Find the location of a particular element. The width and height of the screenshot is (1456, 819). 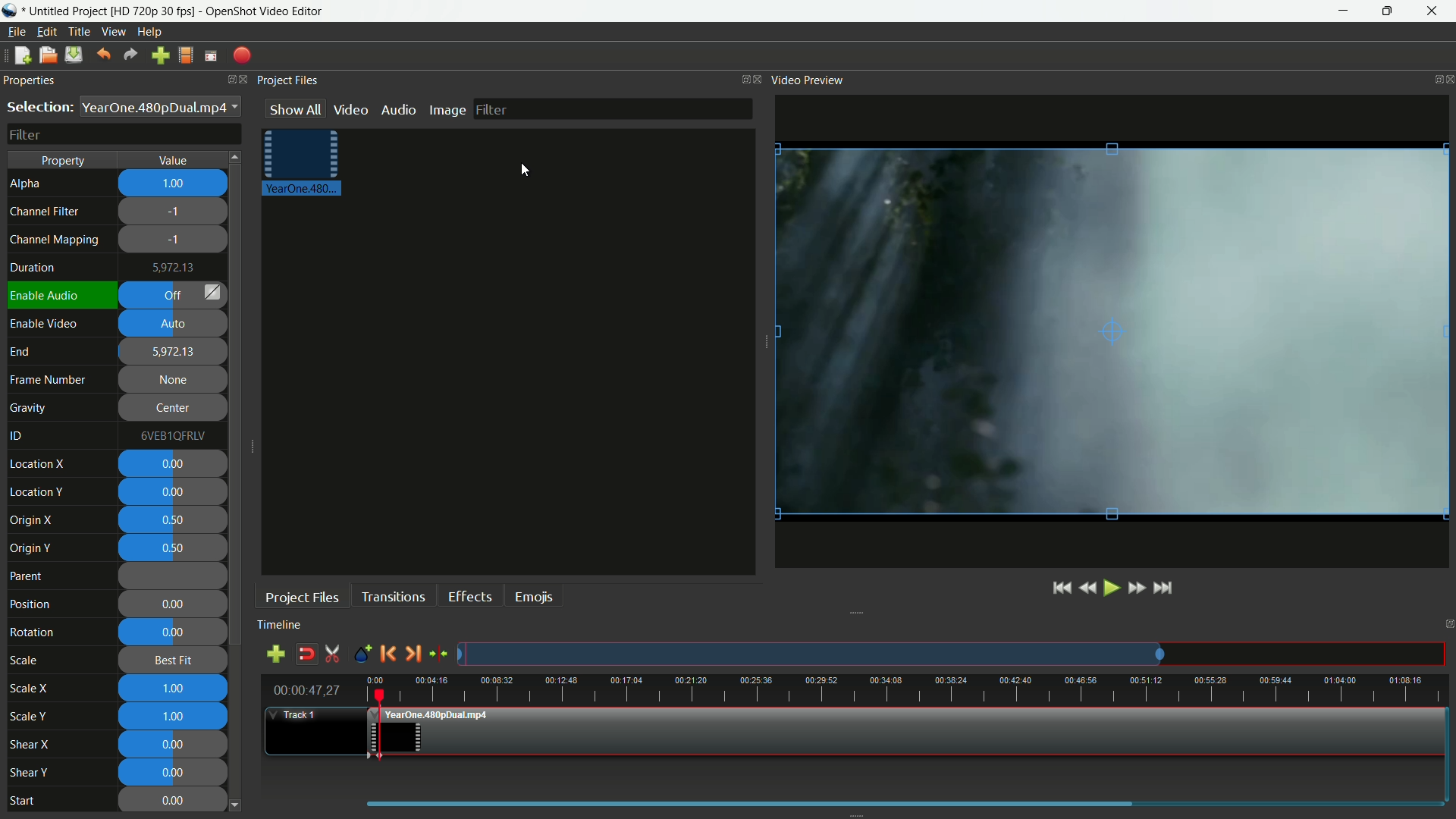

1.00 is located at coordinates (174, 689).